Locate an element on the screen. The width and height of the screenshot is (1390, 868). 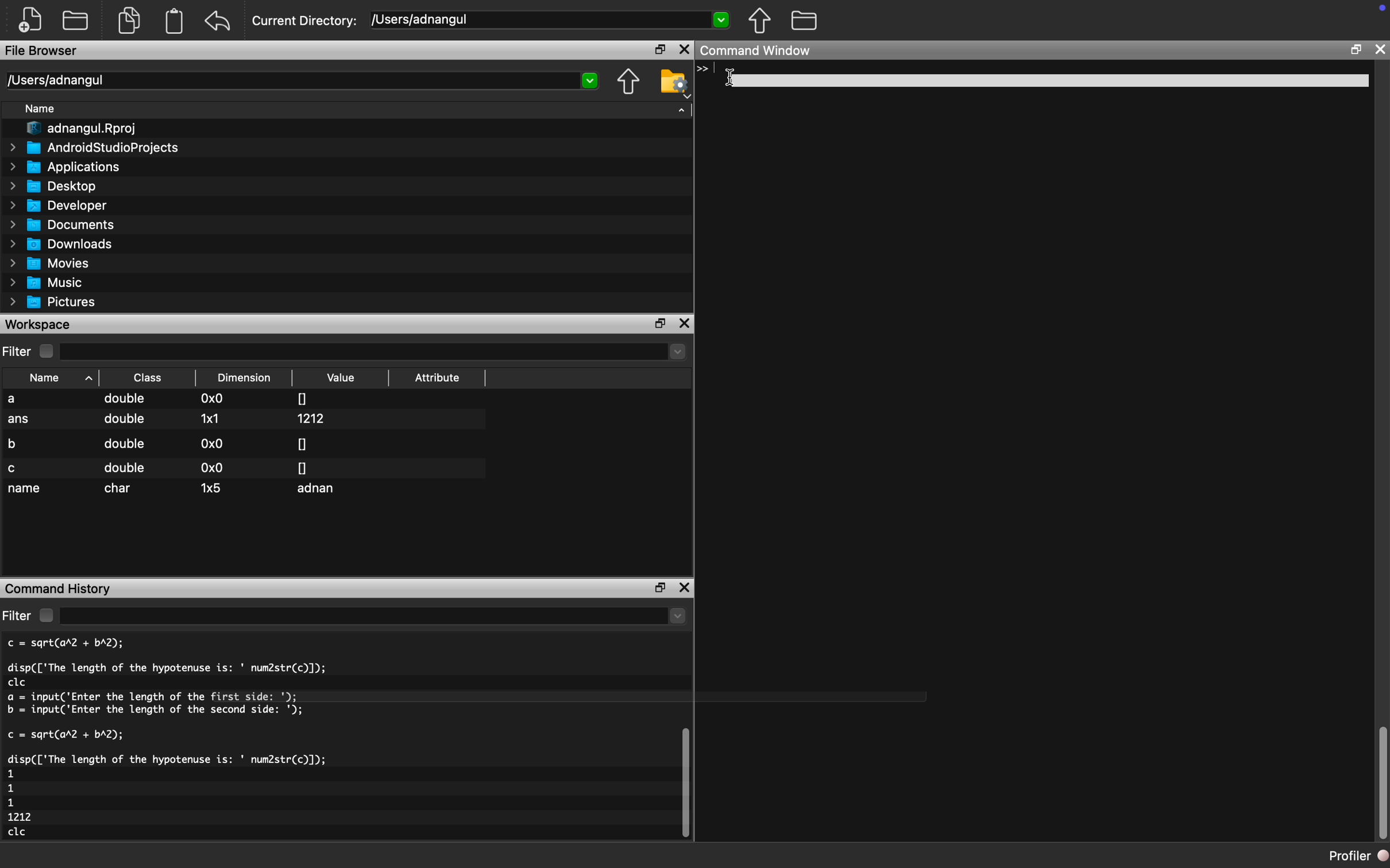
close is located at coordinates (1381, 49).